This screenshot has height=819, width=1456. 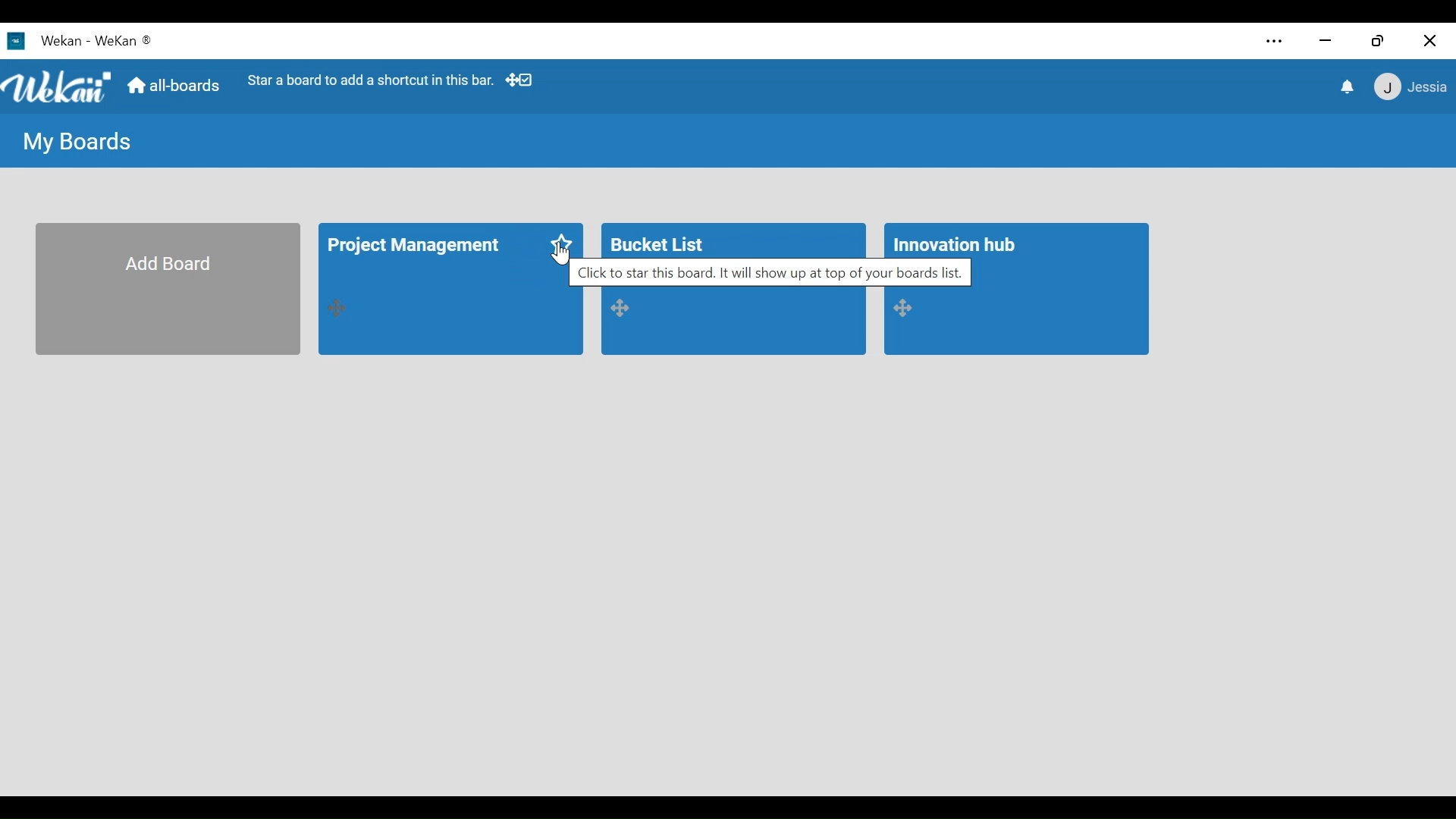 What do you see at coordinates (522, 81) in the screenshot?
I see `Toggle Desktop drag handle` at bounding box center [522, 81].